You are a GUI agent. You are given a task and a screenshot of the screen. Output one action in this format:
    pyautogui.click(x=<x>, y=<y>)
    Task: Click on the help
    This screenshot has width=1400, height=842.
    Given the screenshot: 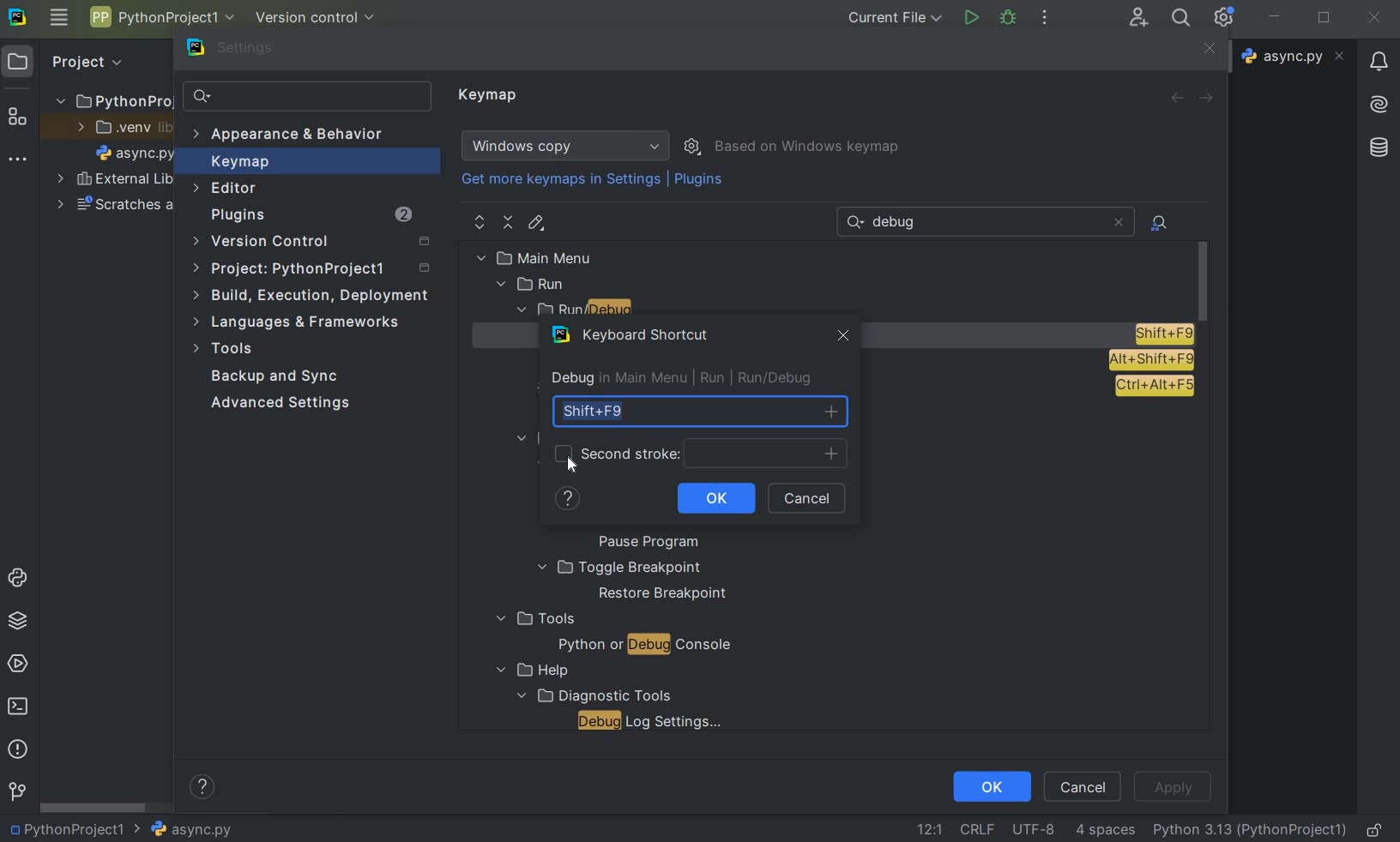 What is the action you would take?
    pyautogui.click(x=528, y=671)
    